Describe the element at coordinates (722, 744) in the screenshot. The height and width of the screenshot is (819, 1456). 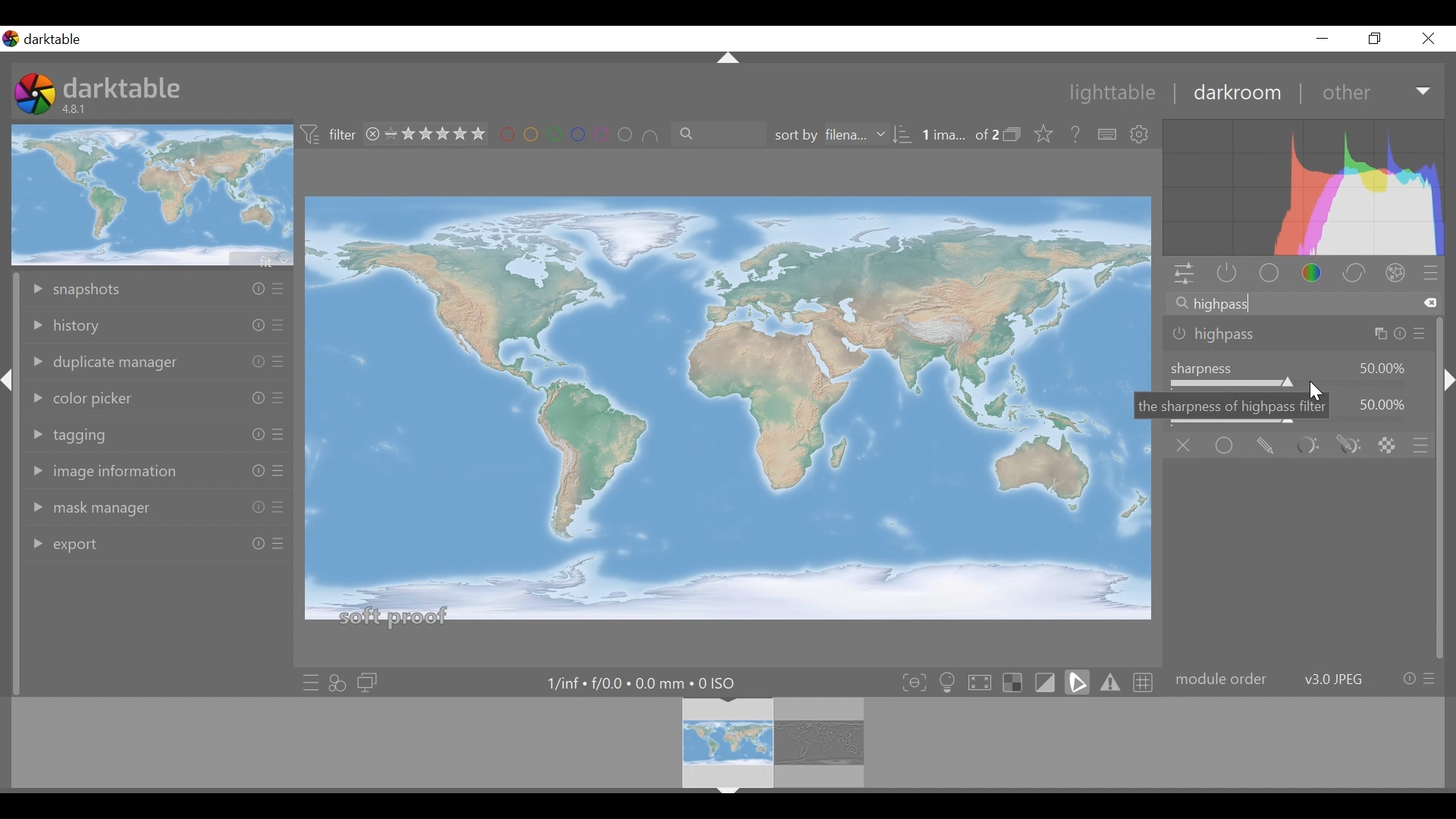
I see `Filmstrip` at that location.